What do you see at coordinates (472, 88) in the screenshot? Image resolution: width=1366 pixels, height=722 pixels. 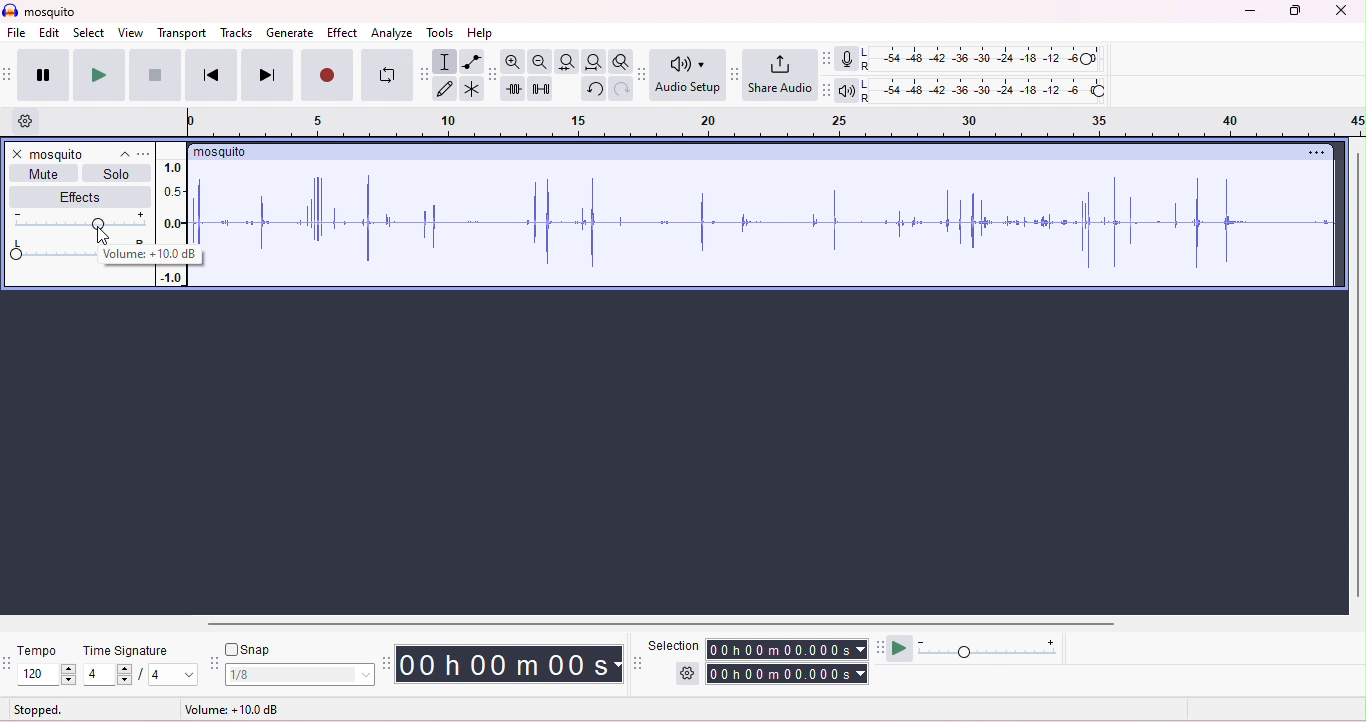 I see `multi` at bounding box center [472, 88].